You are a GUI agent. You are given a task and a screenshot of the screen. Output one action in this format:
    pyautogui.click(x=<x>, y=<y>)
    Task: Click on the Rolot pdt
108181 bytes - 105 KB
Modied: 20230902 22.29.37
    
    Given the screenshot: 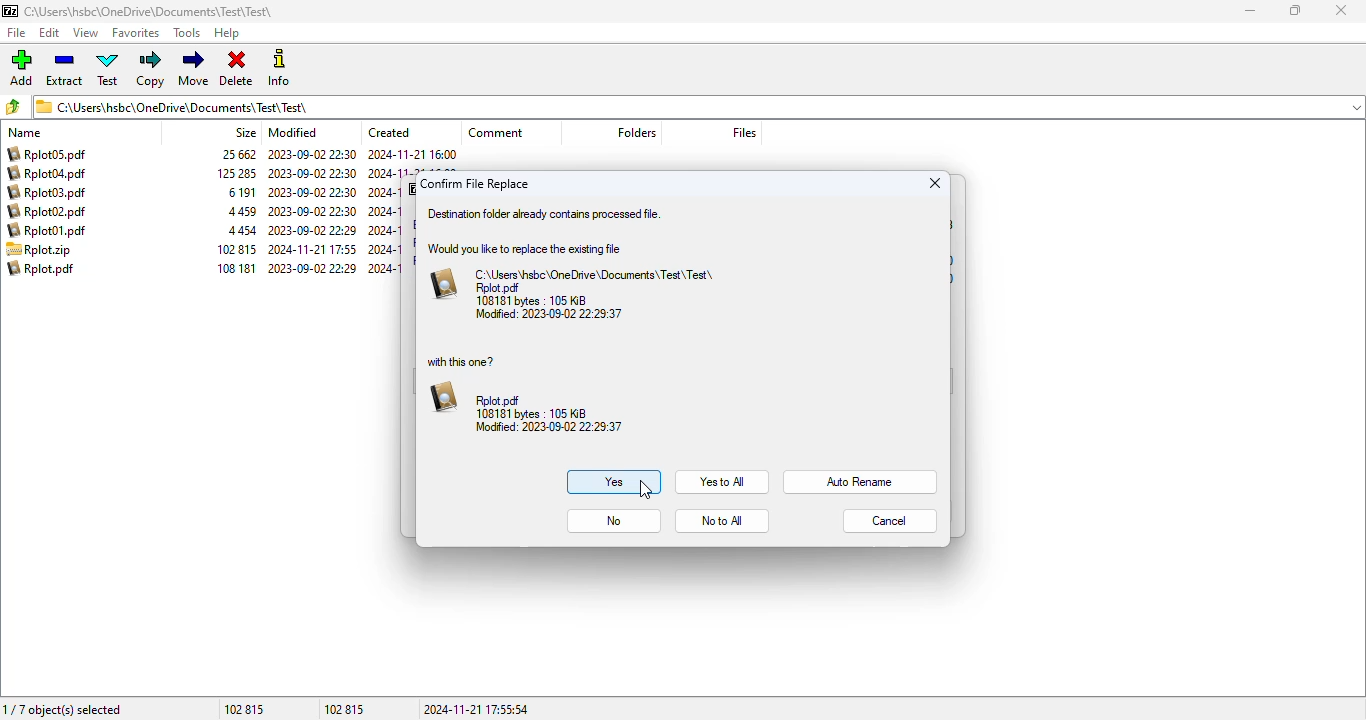 What is the action you would take?
    pyautogui.click(x=525, y=409)
    